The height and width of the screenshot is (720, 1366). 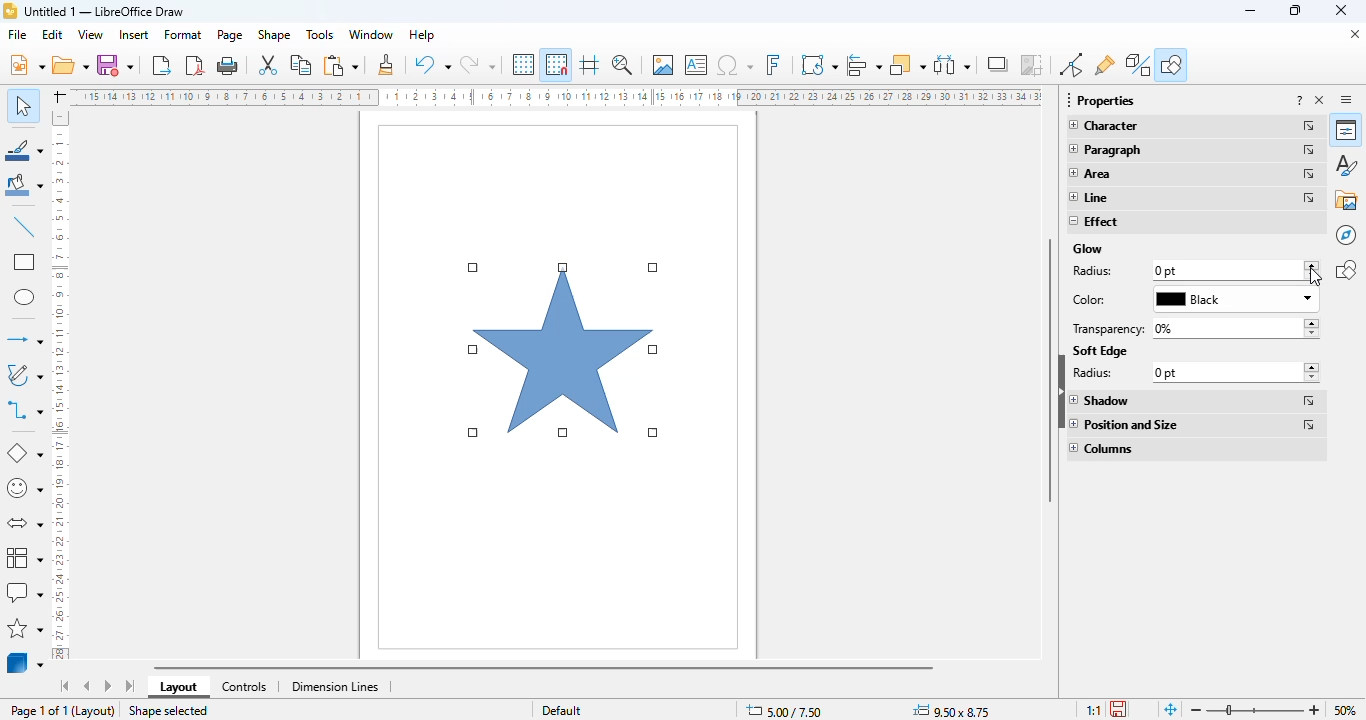 What do you see at coordinates (697, 668) in the screenshot?
I see `horizontal scroll bar` at bounding box center [697, 668].